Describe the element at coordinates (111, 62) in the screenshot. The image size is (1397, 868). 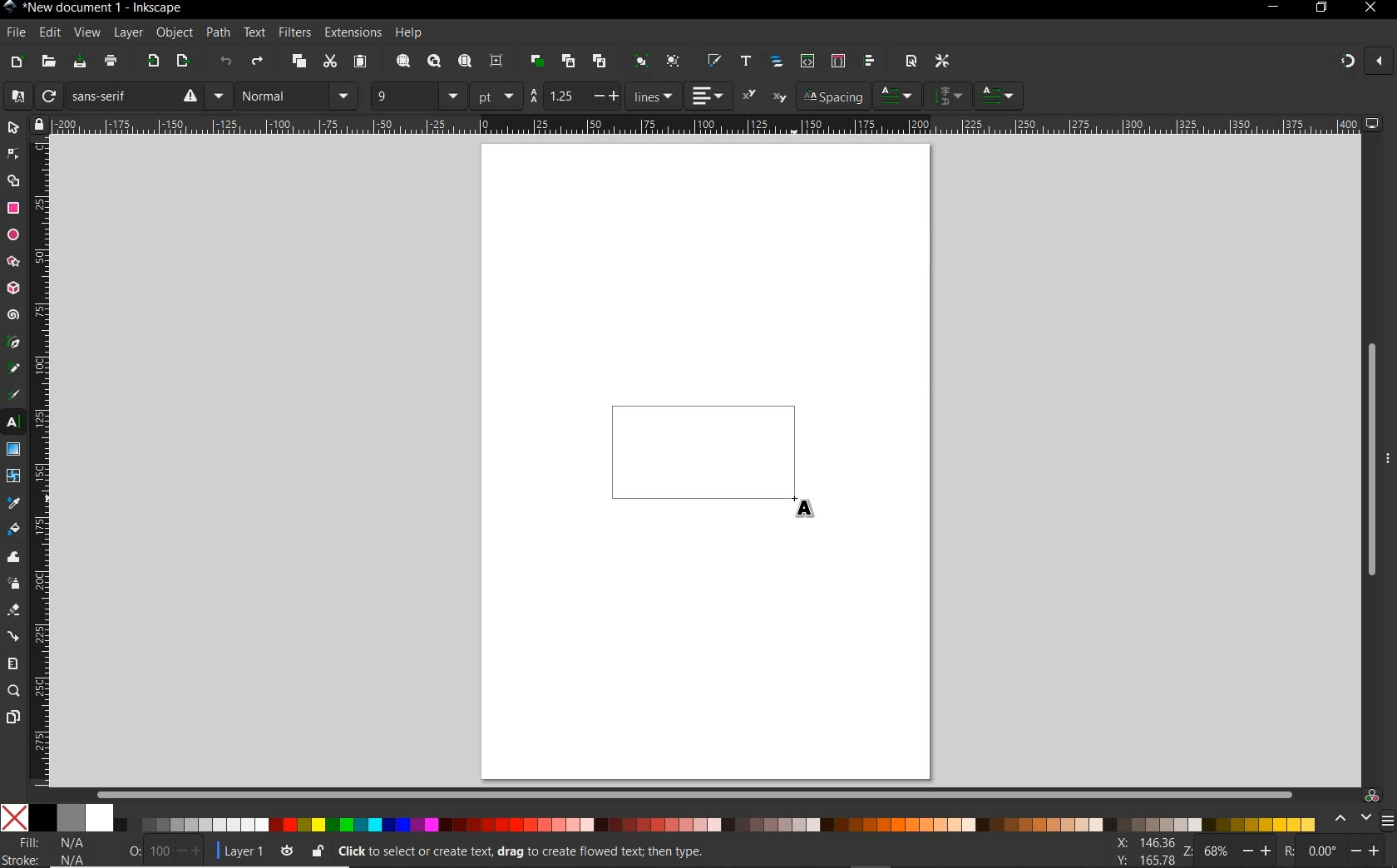
I see `print` at that location.